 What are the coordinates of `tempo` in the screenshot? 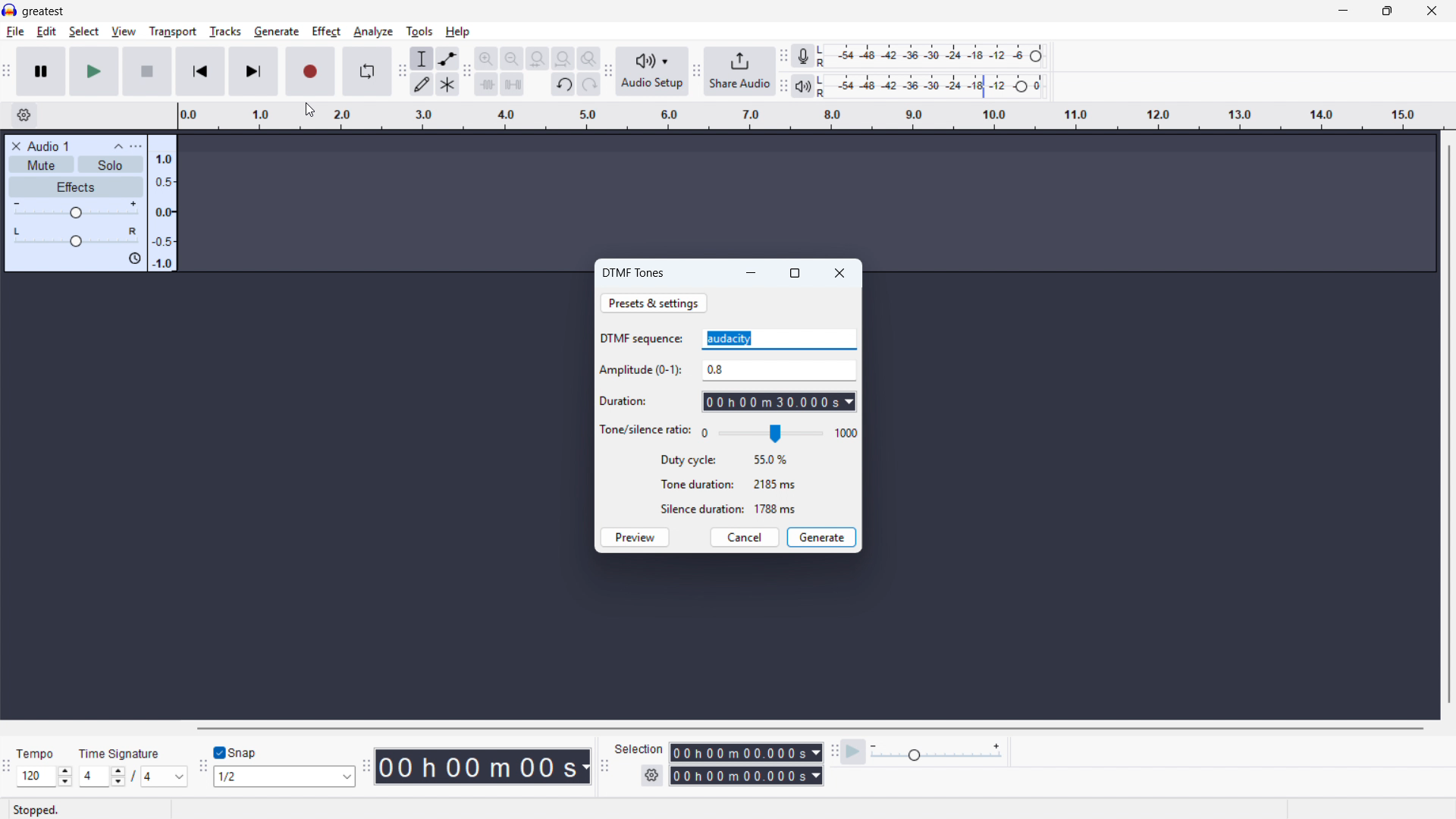 It's located at (39, 754).